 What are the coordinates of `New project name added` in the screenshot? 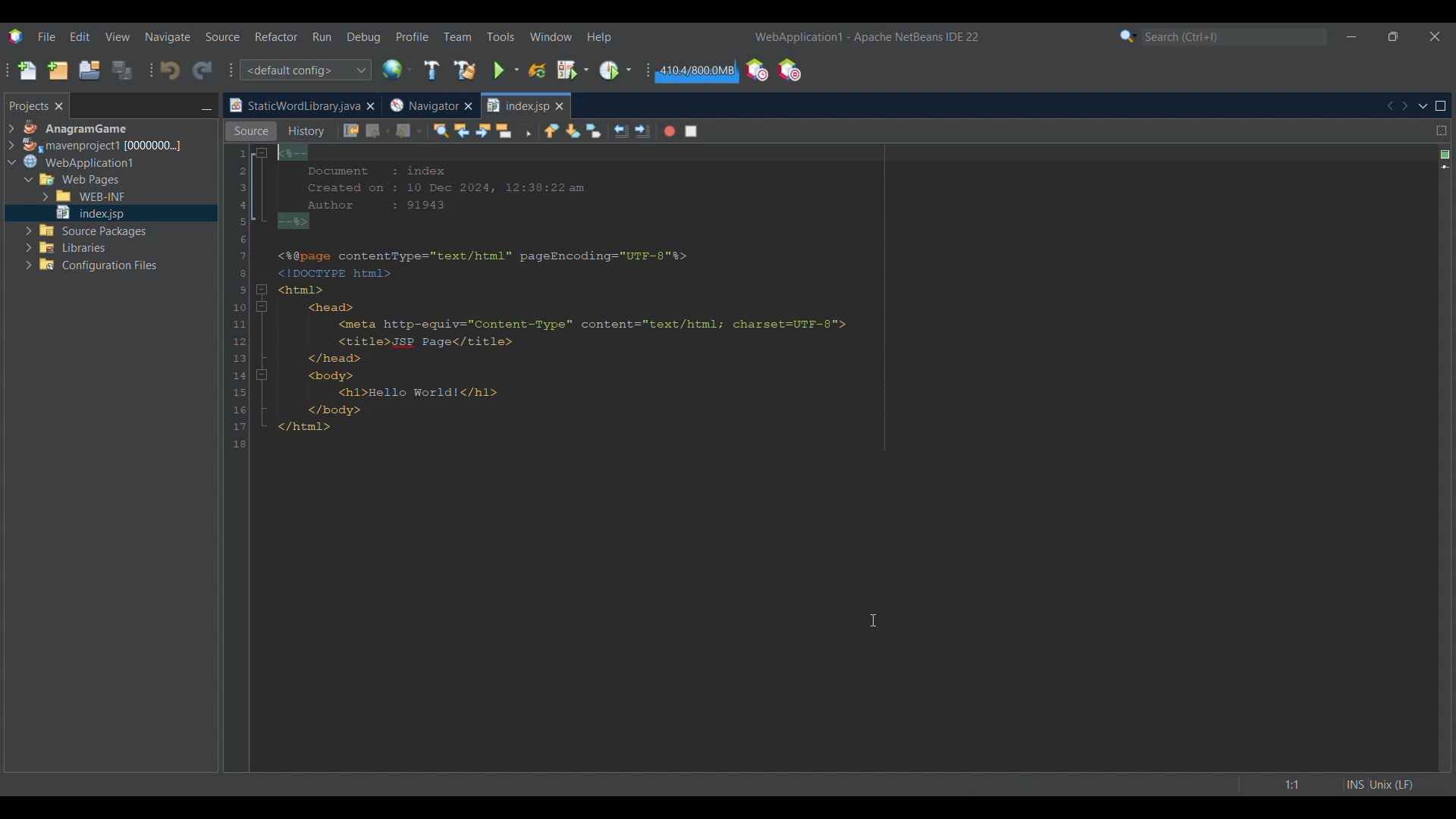 It's located at (871, 36).